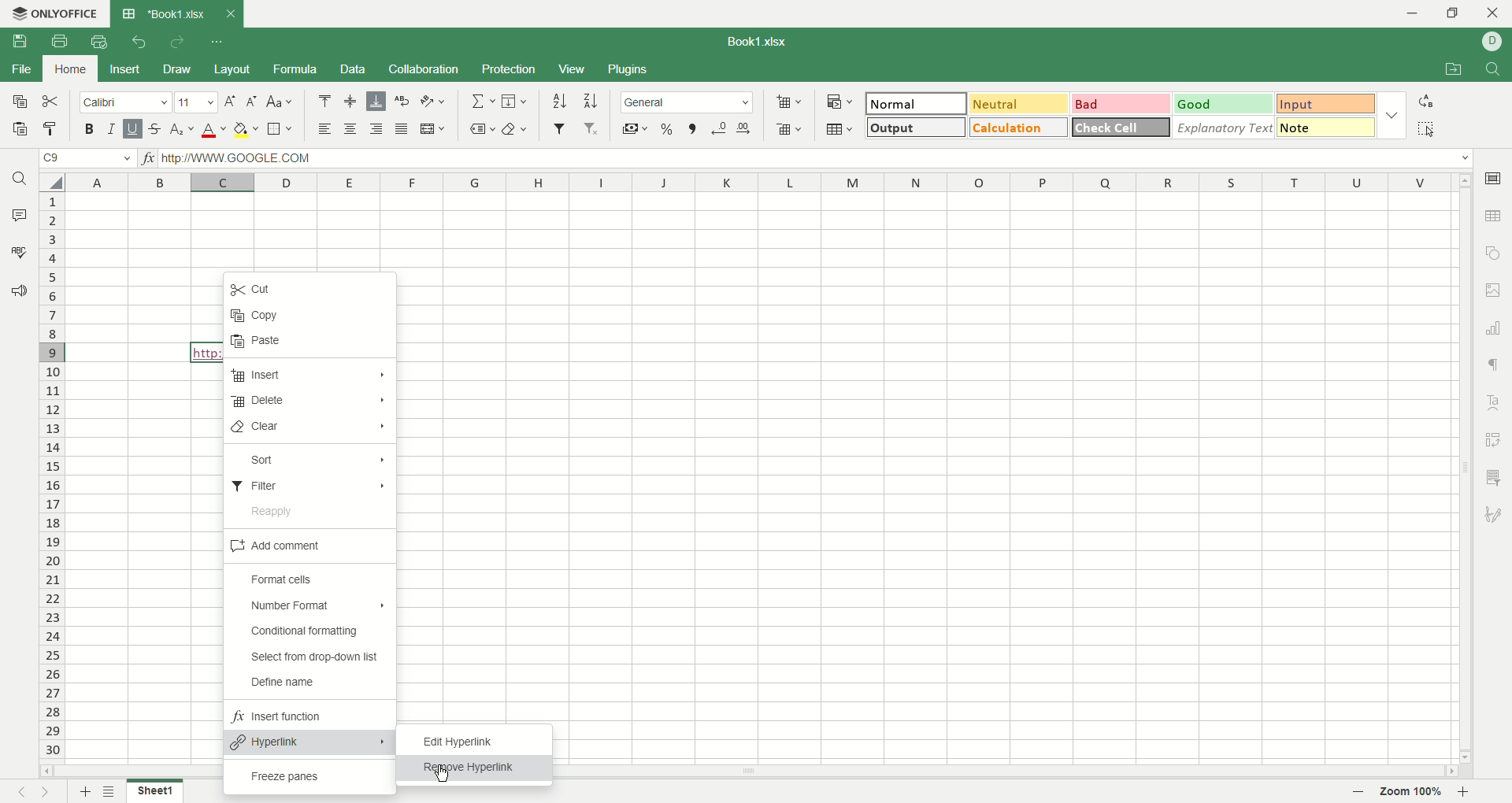 This screenshot has height=803, width=1512. What do you see at coordinates (1425, 100) in the screenshot?
I see `replace` at bounding box center [1425, 100].